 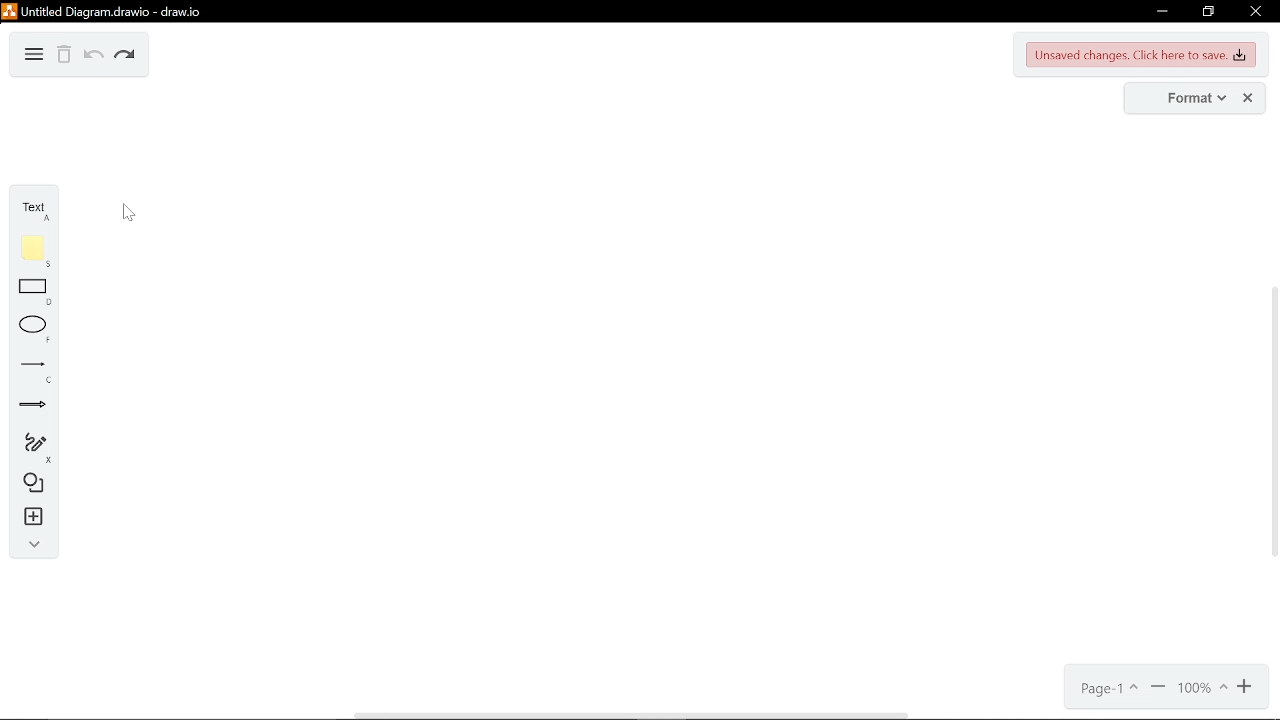 I want to click on unsaved changes. Click here to save, so click(x=1141, y=54).